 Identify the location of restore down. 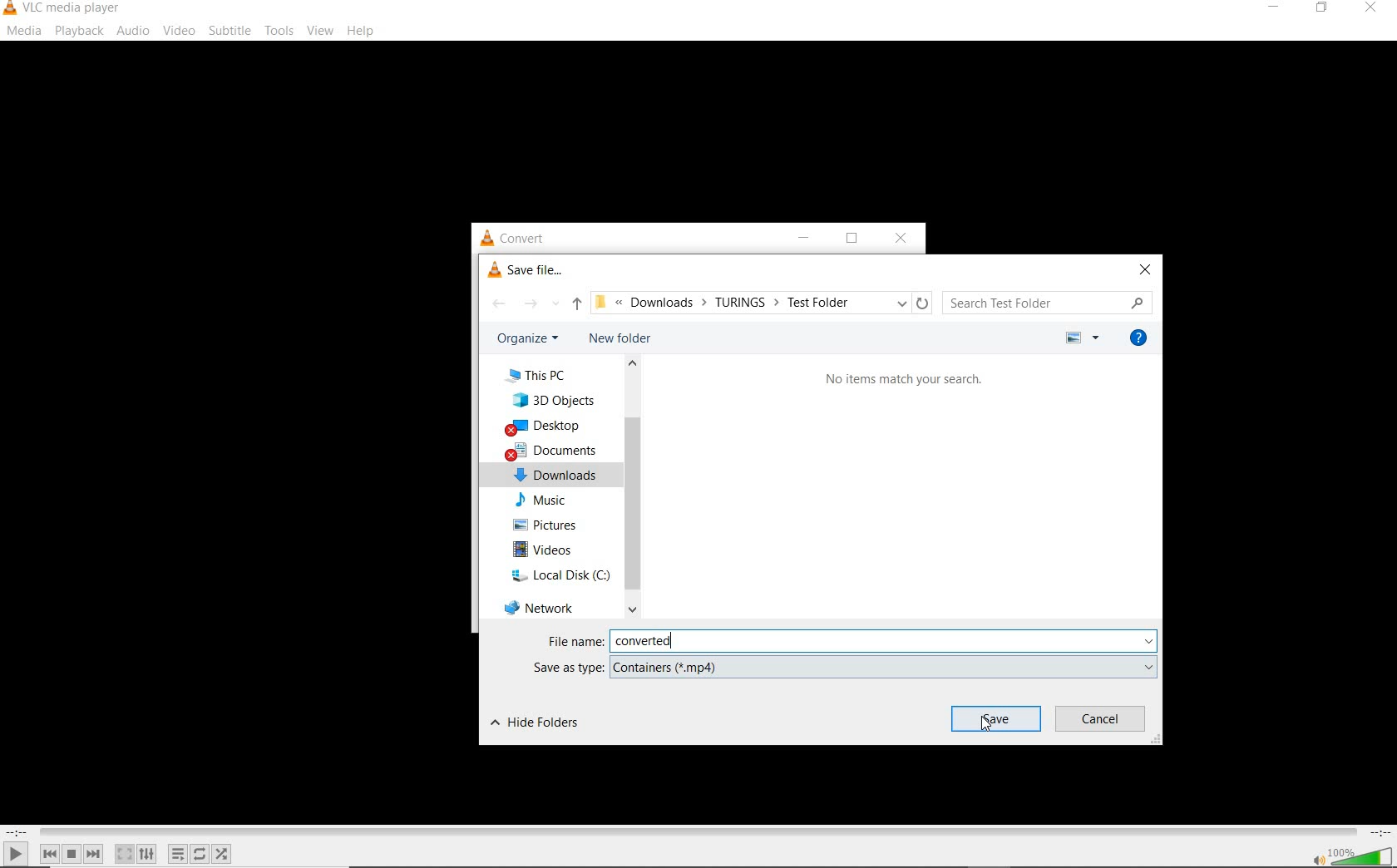
(1325, 8).